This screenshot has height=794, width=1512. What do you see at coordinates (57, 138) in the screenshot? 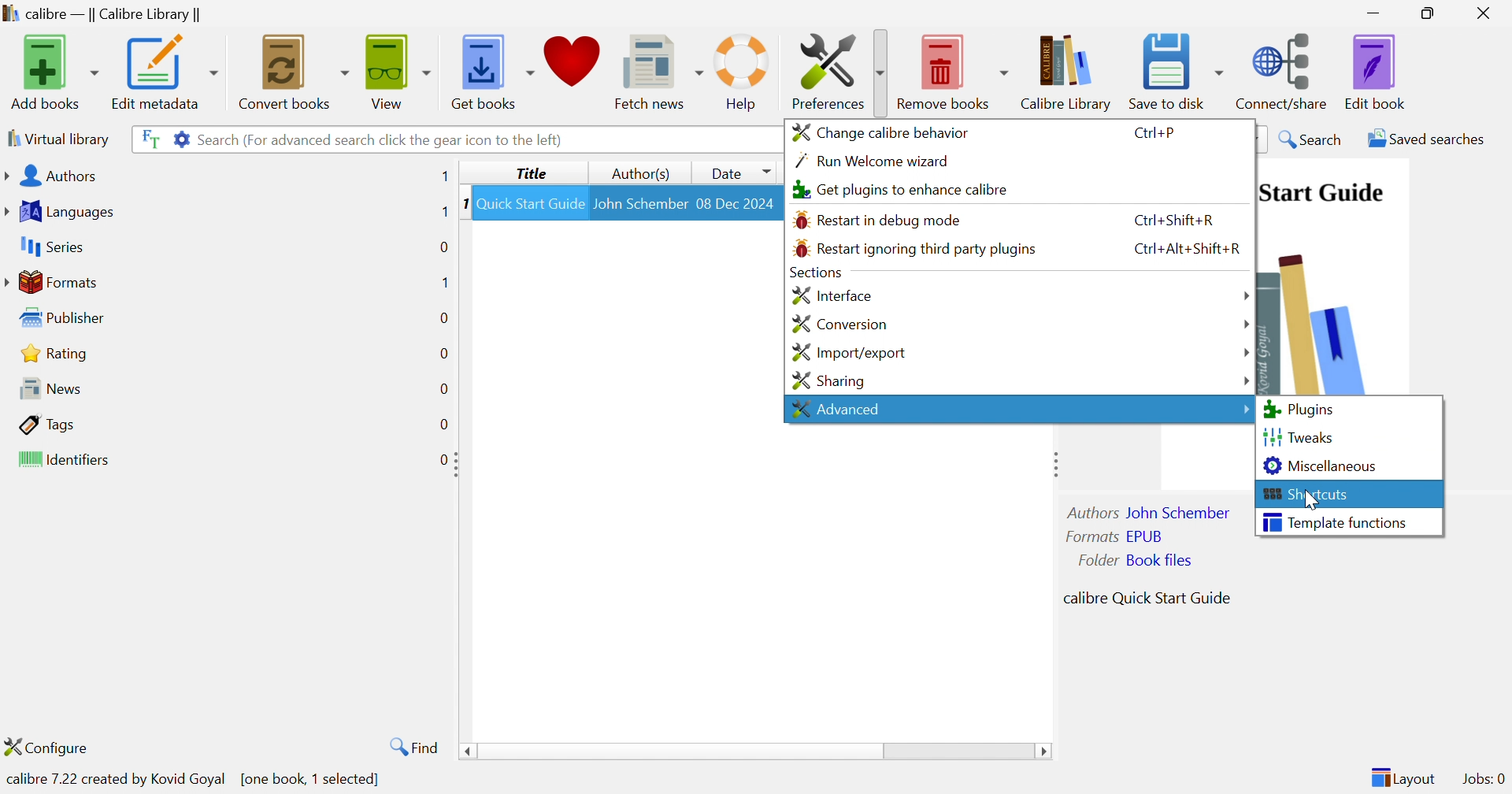
I see `Virtual library` at bounding box center [57, 138].